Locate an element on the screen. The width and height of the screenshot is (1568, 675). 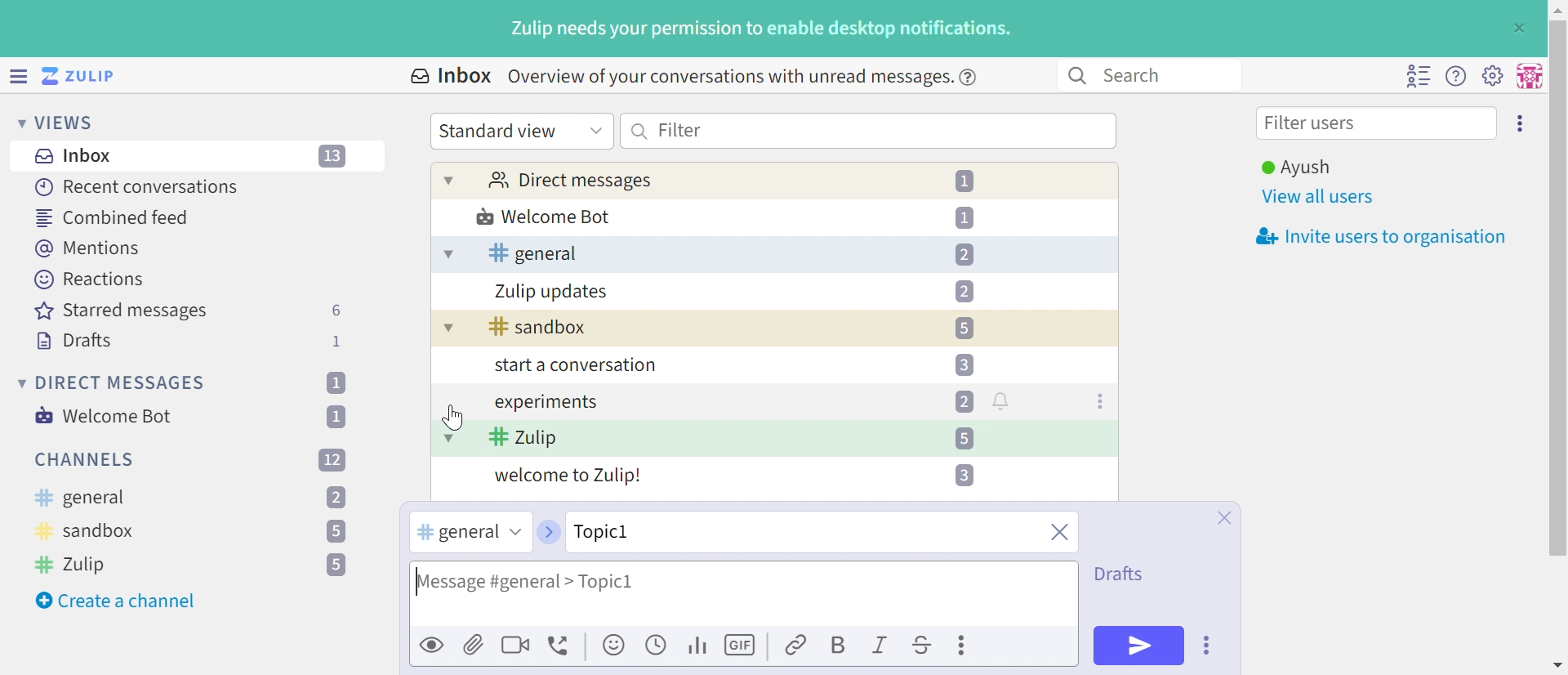
13 is located at coordinates (334, 157).